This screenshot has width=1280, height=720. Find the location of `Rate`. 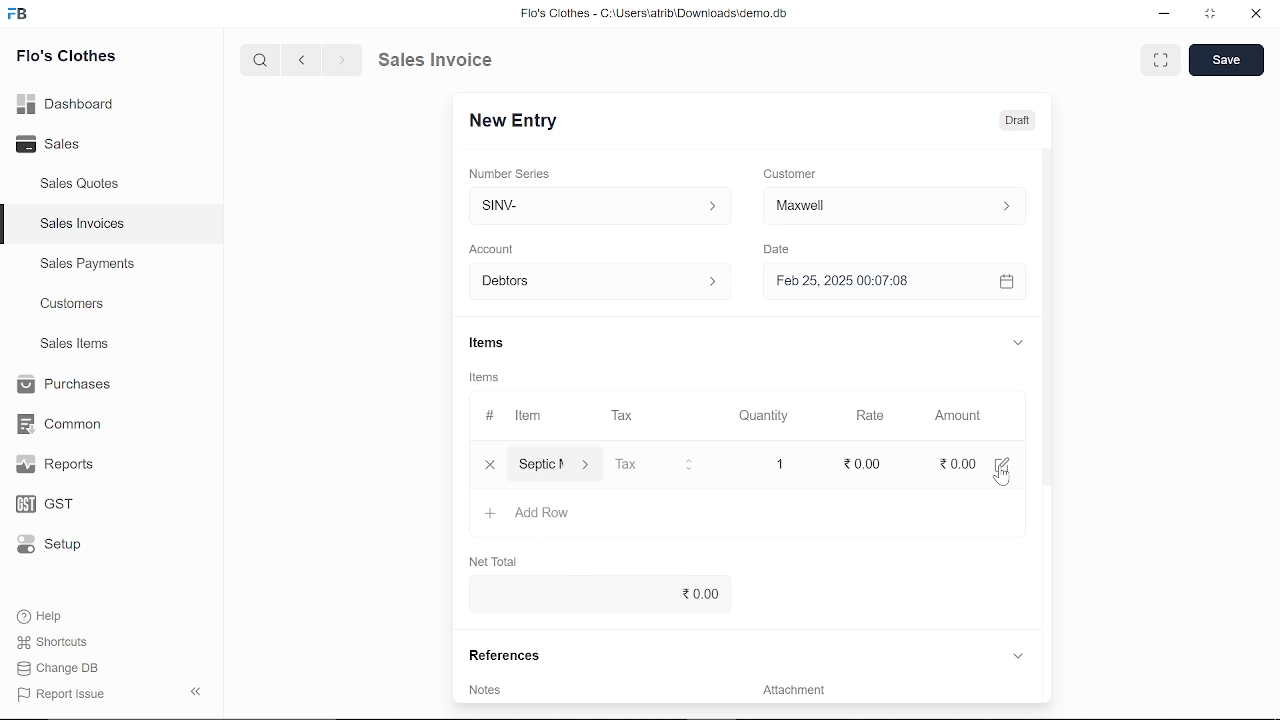

Rate is located at coordinates (850, 416).